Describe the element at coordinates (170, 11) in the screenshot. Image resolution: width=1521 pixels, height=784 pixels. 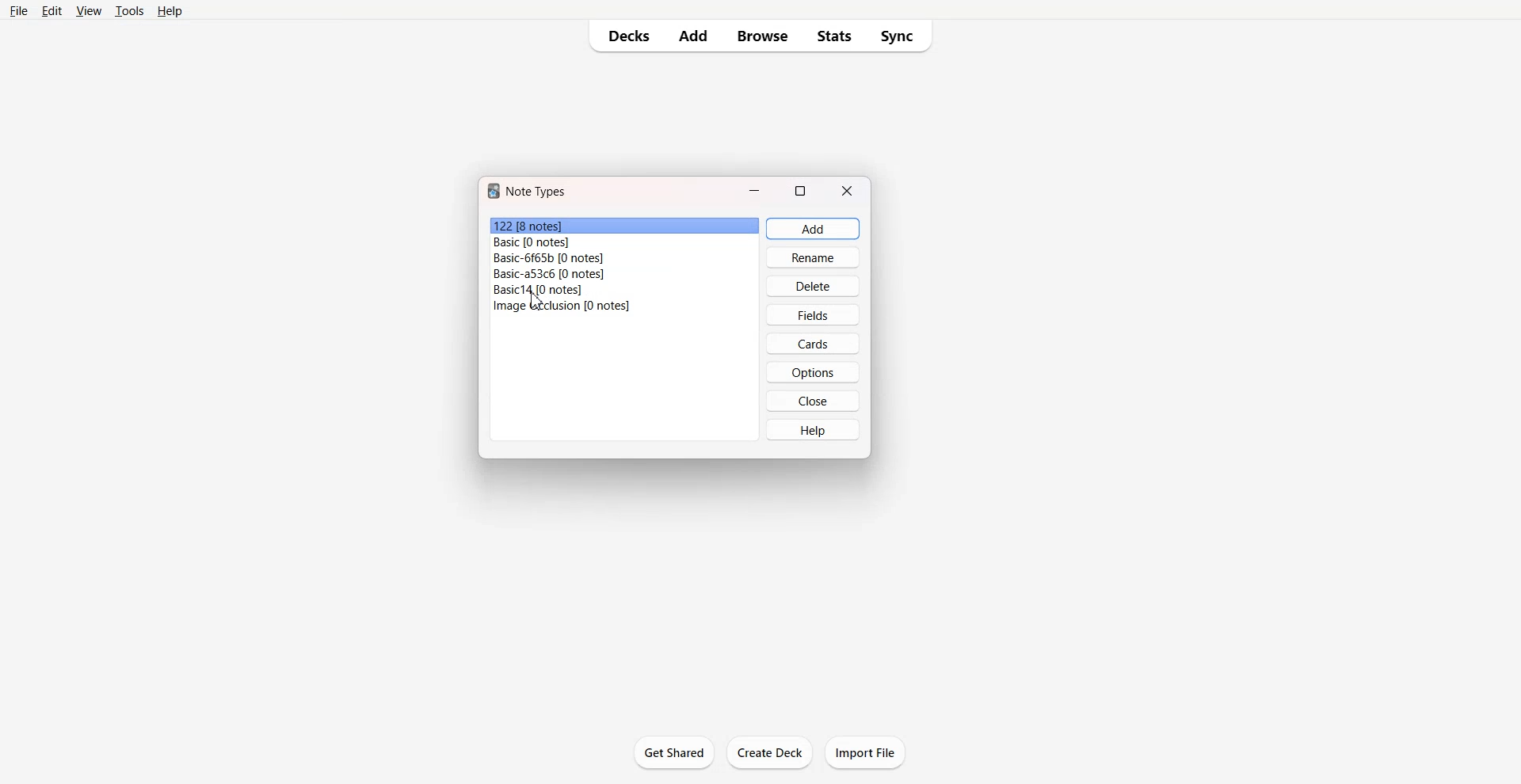
I see `Help` at that location.